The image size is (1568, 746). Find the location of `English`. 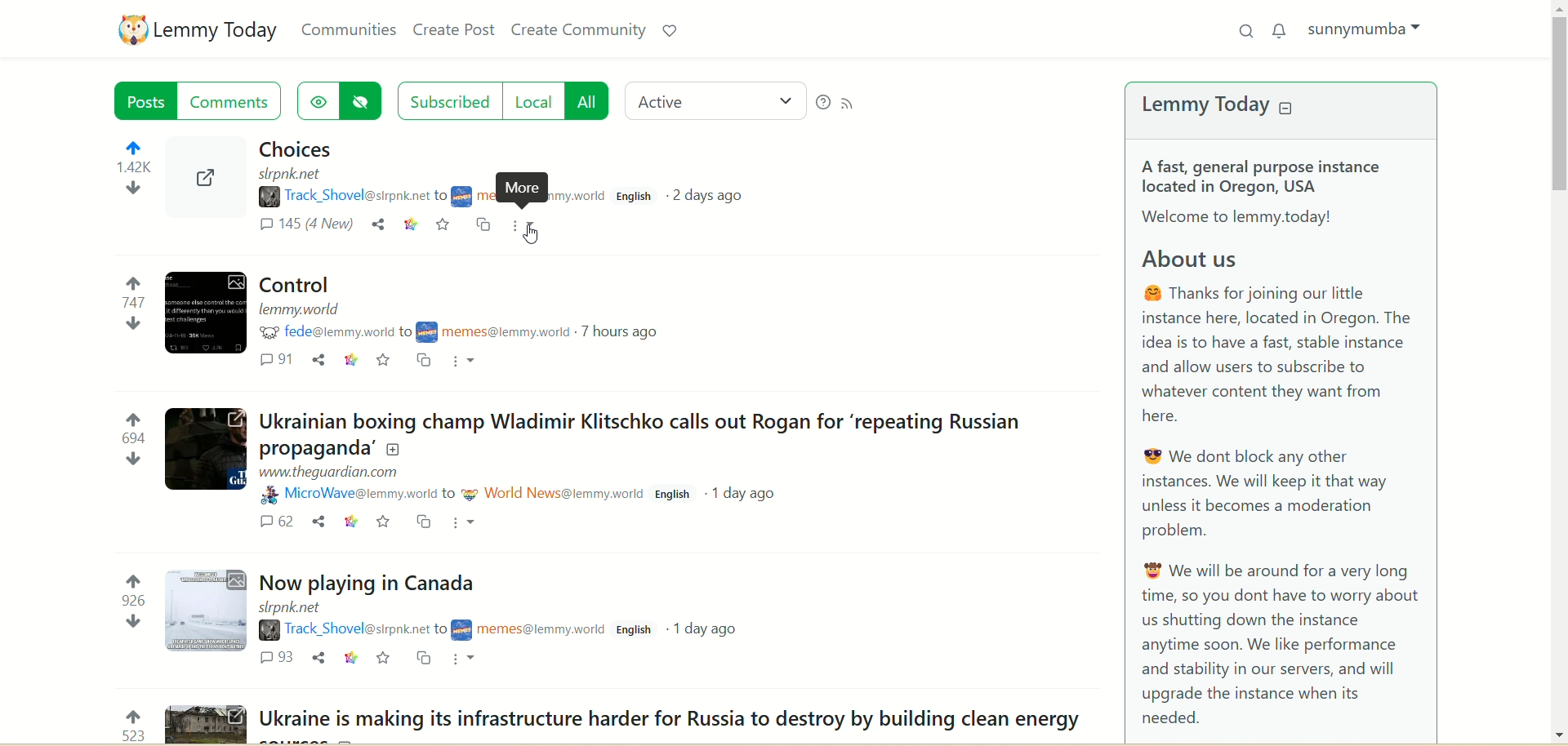

English is located at coordinates (676, 495).